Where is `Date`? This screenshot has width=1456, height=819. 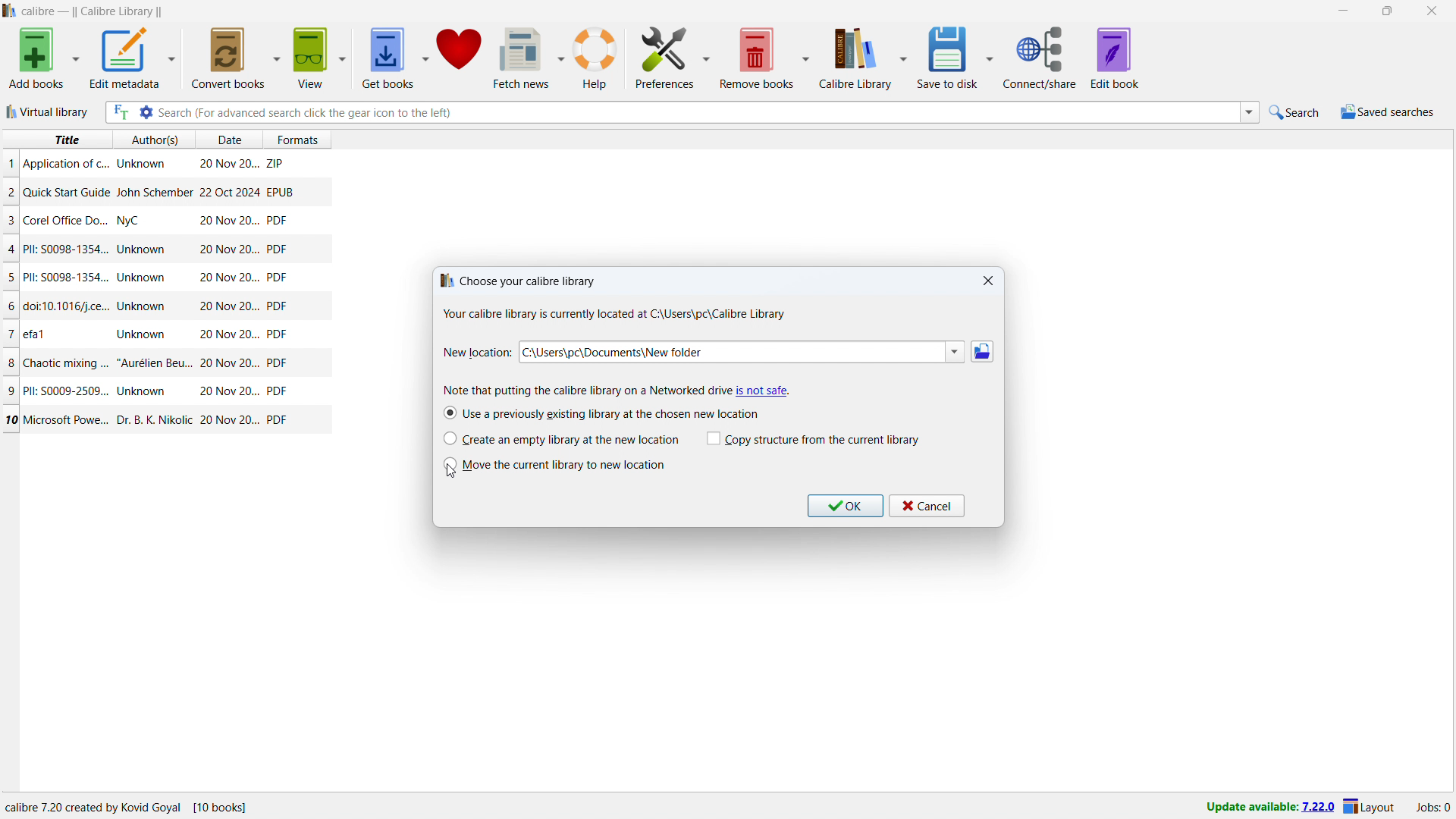 Date is located at coordinates (229, 165).